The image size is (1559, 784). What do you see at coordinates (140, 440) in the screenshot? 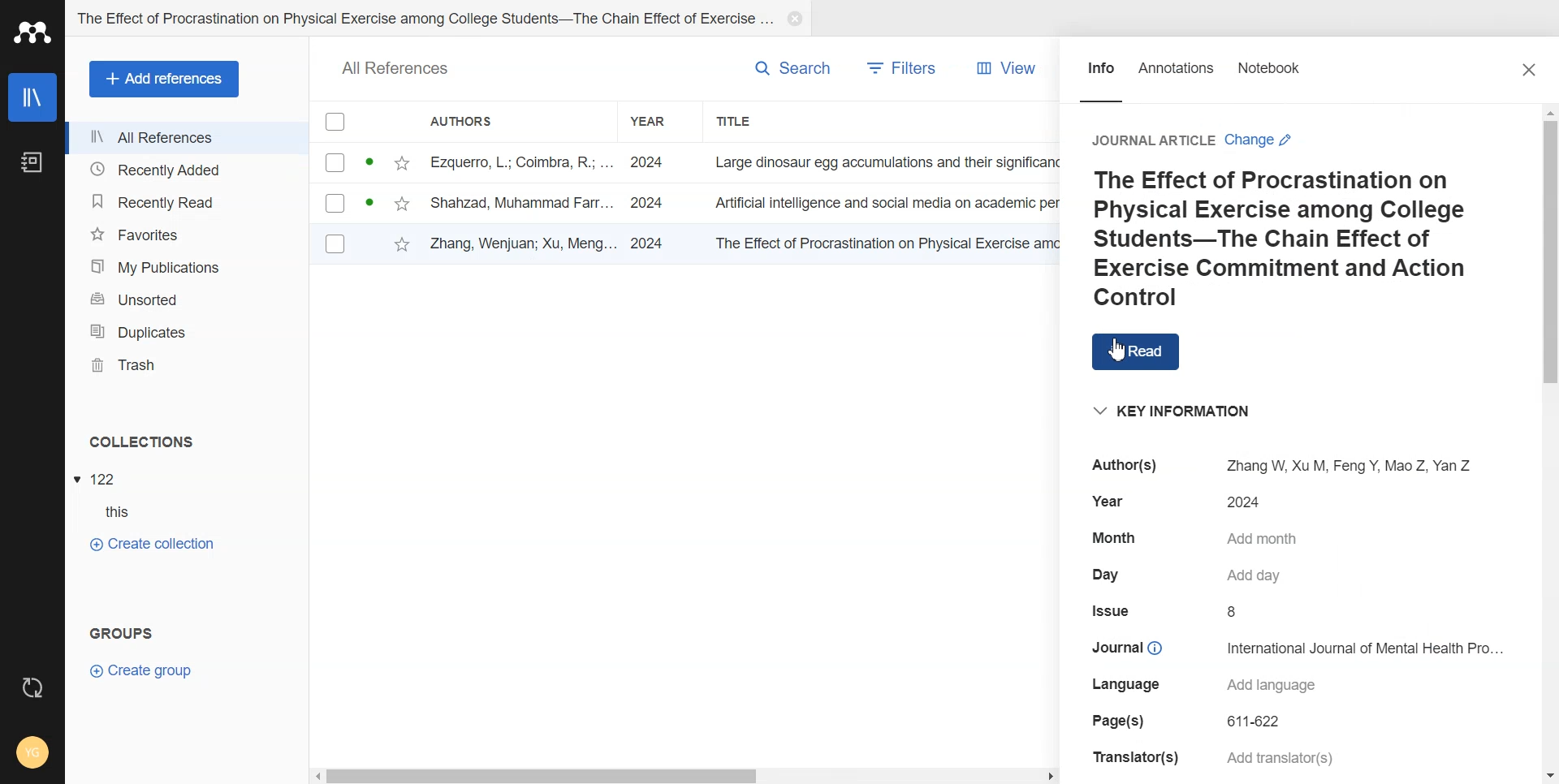
I see `Text 1` at bounding box center [140, 440].